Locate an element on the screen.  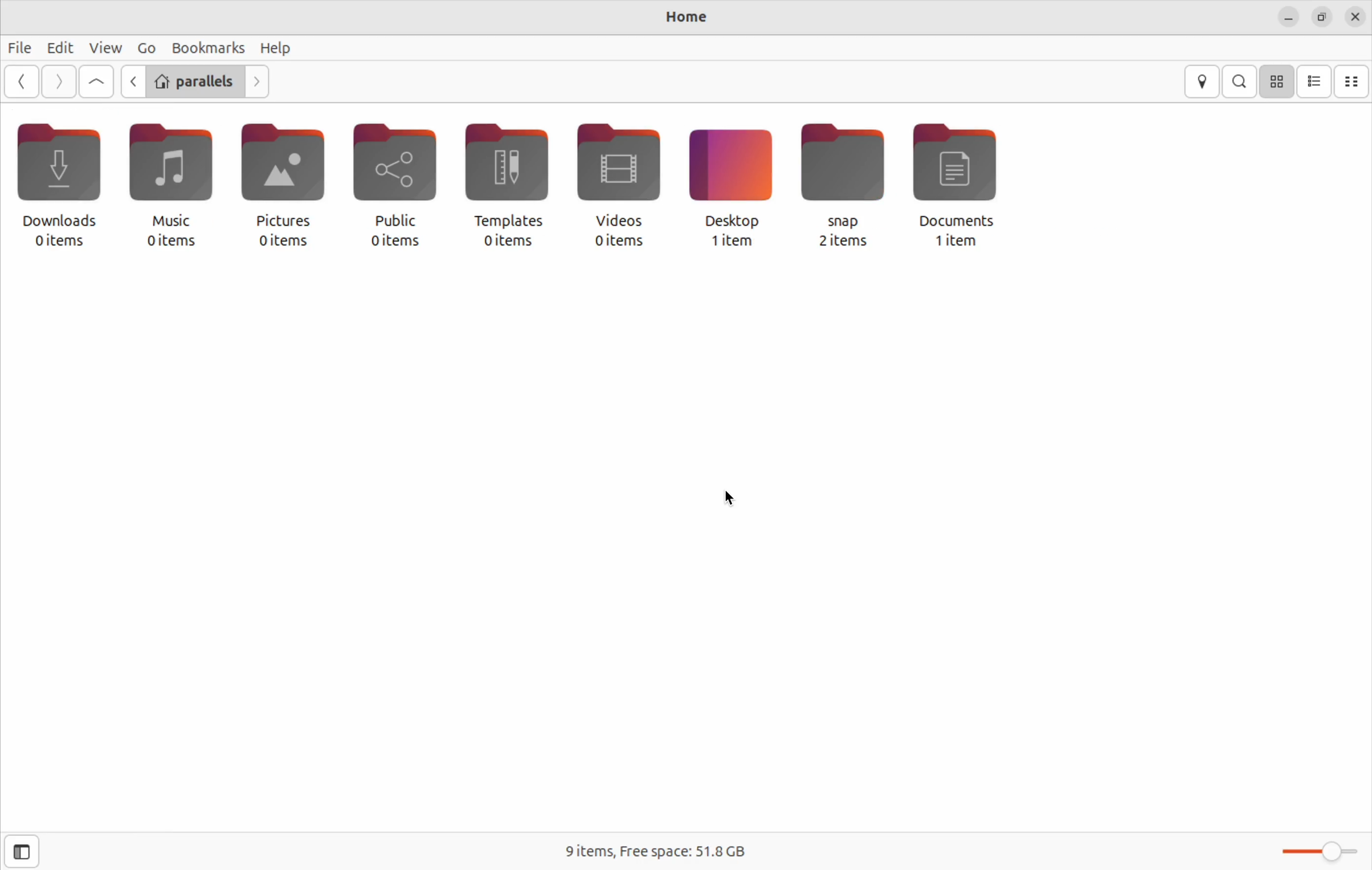
list view is located at coordinates (1317, 82).